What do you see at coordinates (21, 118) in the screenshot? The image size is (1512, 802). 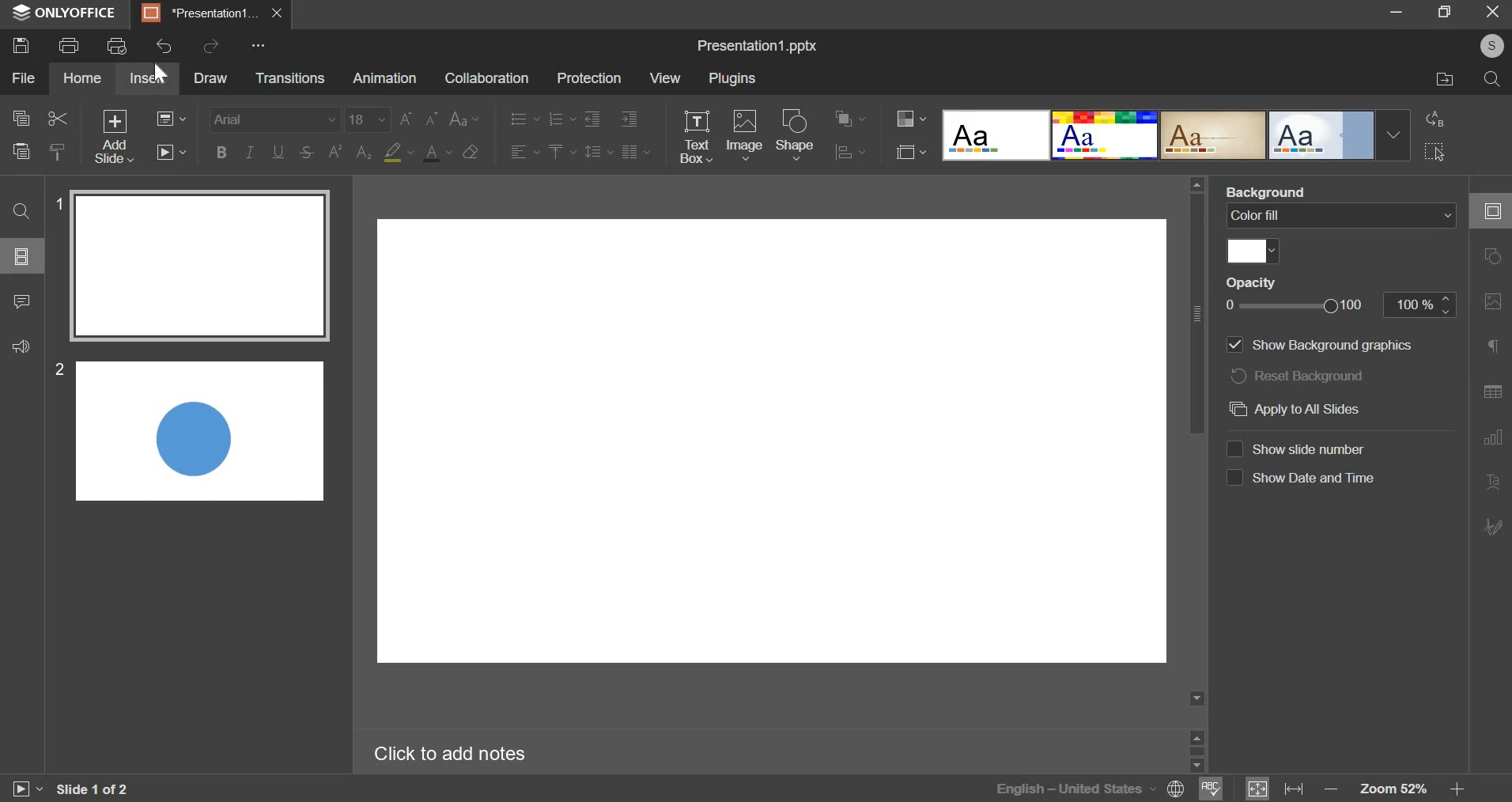 I see `copy` at bounding box center [21, 118].